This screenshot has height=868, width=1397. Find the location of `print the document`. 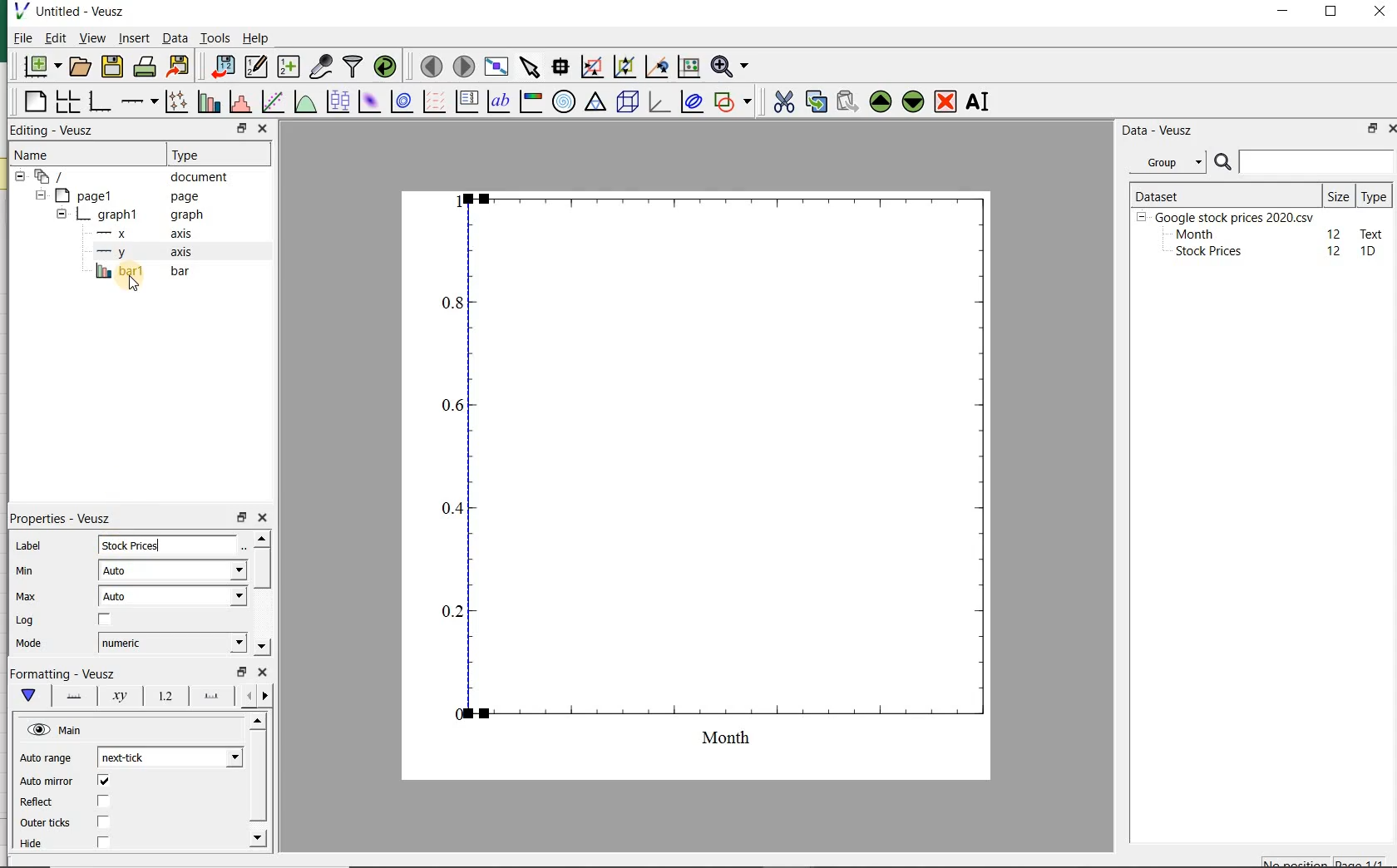

print the document is located at coordinates (145, 68).